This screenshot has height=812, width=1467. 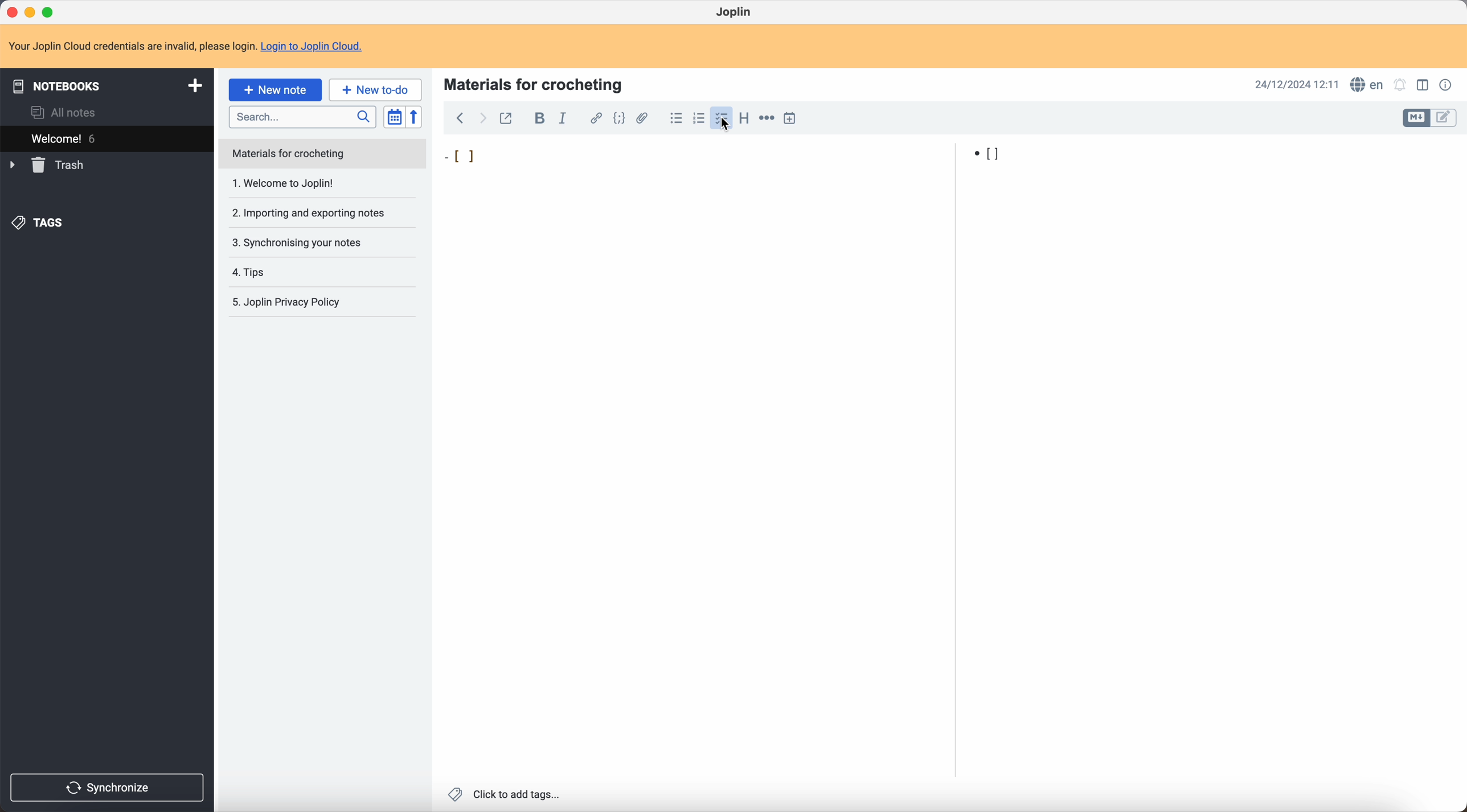 I want to click on horizontal rule, so click(x=766, y=120).